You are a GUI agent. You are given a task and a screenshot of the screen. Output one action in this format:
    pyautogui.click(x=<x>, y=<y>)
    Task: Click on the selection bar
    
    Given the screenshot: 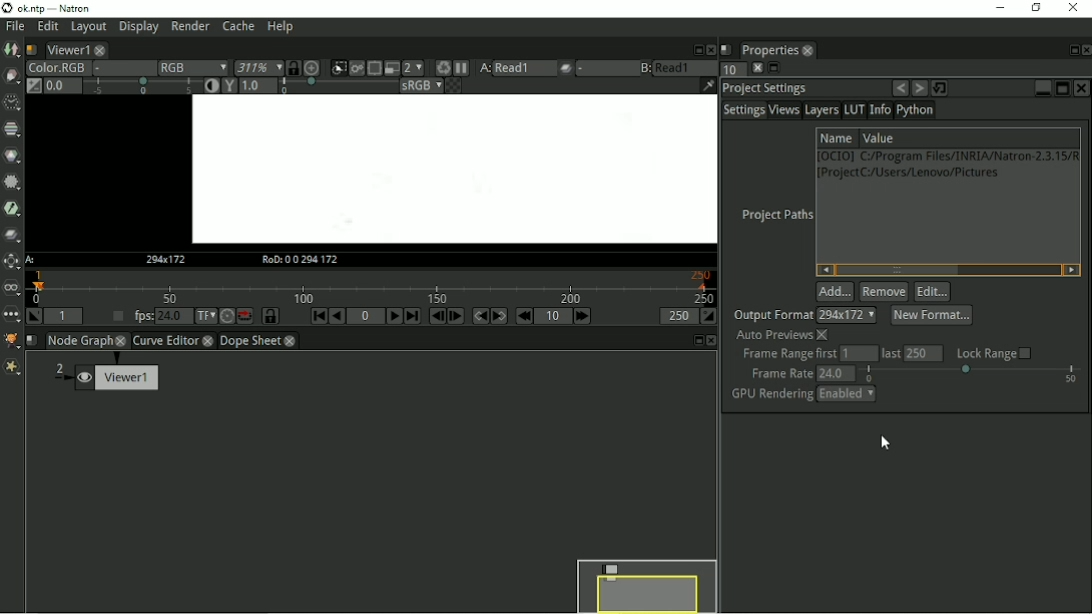 What is the action you would take?
    pyautogui.click(x=337, y=86)
    